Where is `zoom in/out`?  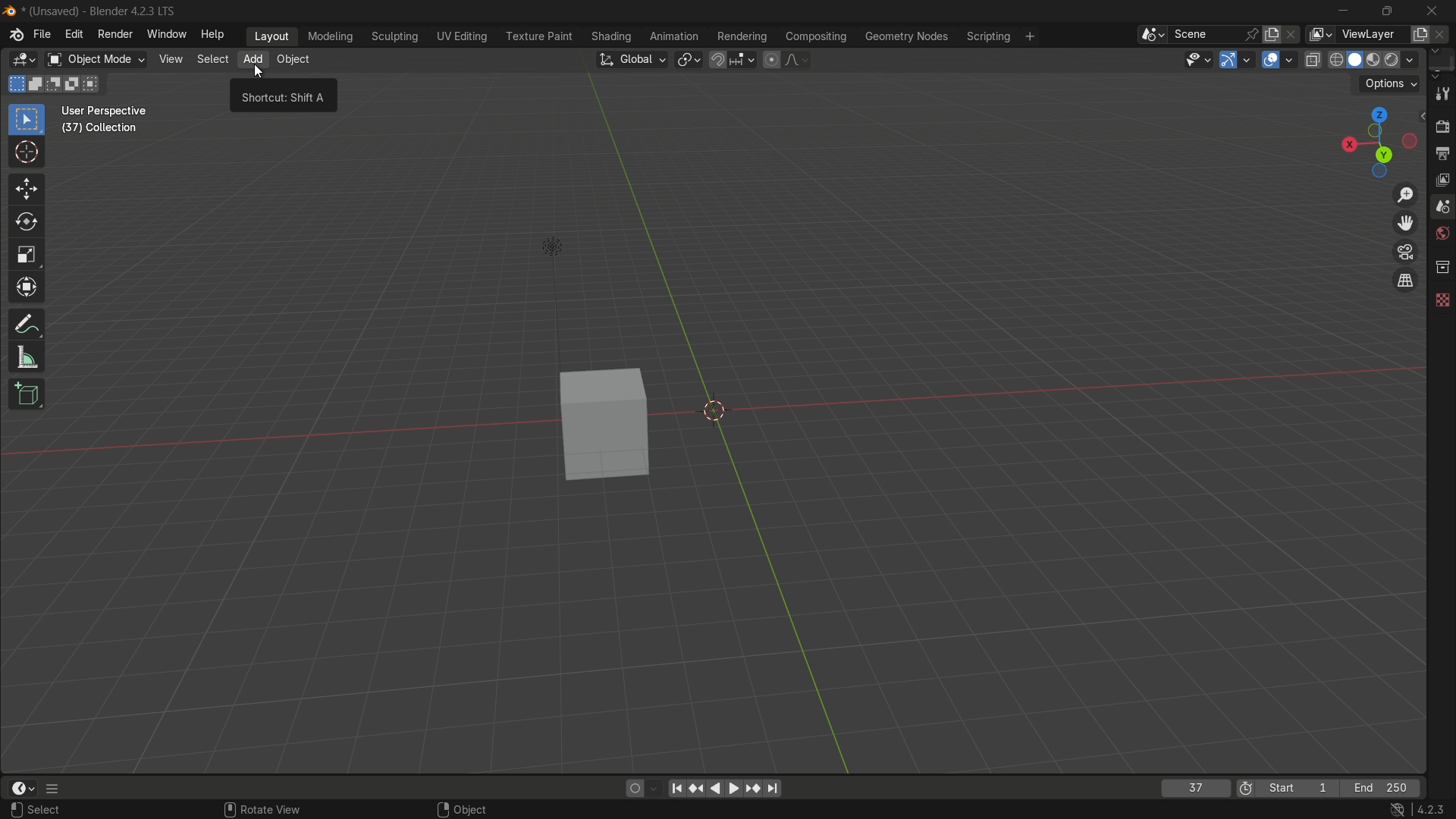
zoom in/out is located at coordinates (1405, 193).